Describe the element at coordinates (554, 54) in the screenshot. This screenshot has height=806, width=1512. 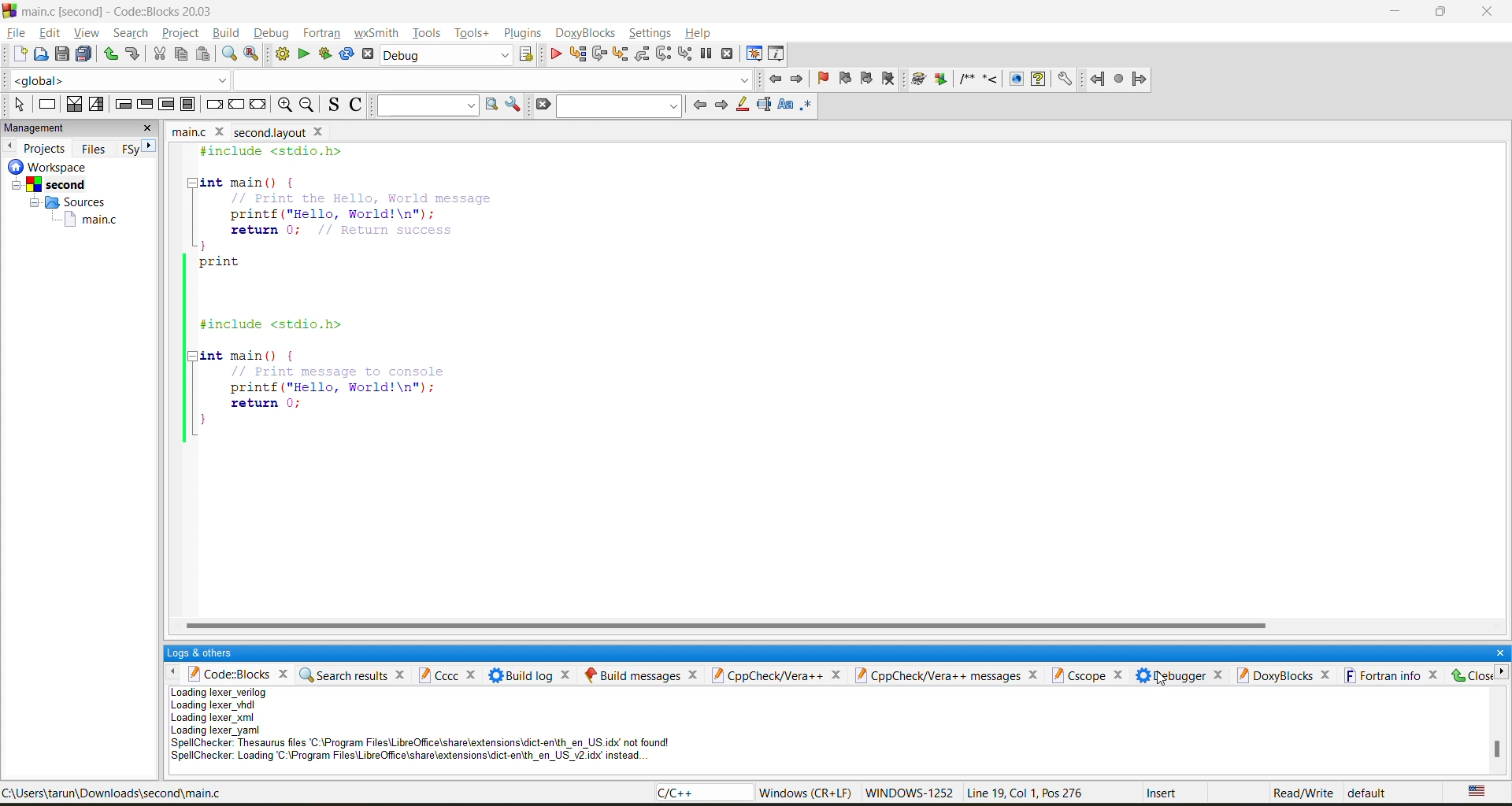
I see `debug` at that location.